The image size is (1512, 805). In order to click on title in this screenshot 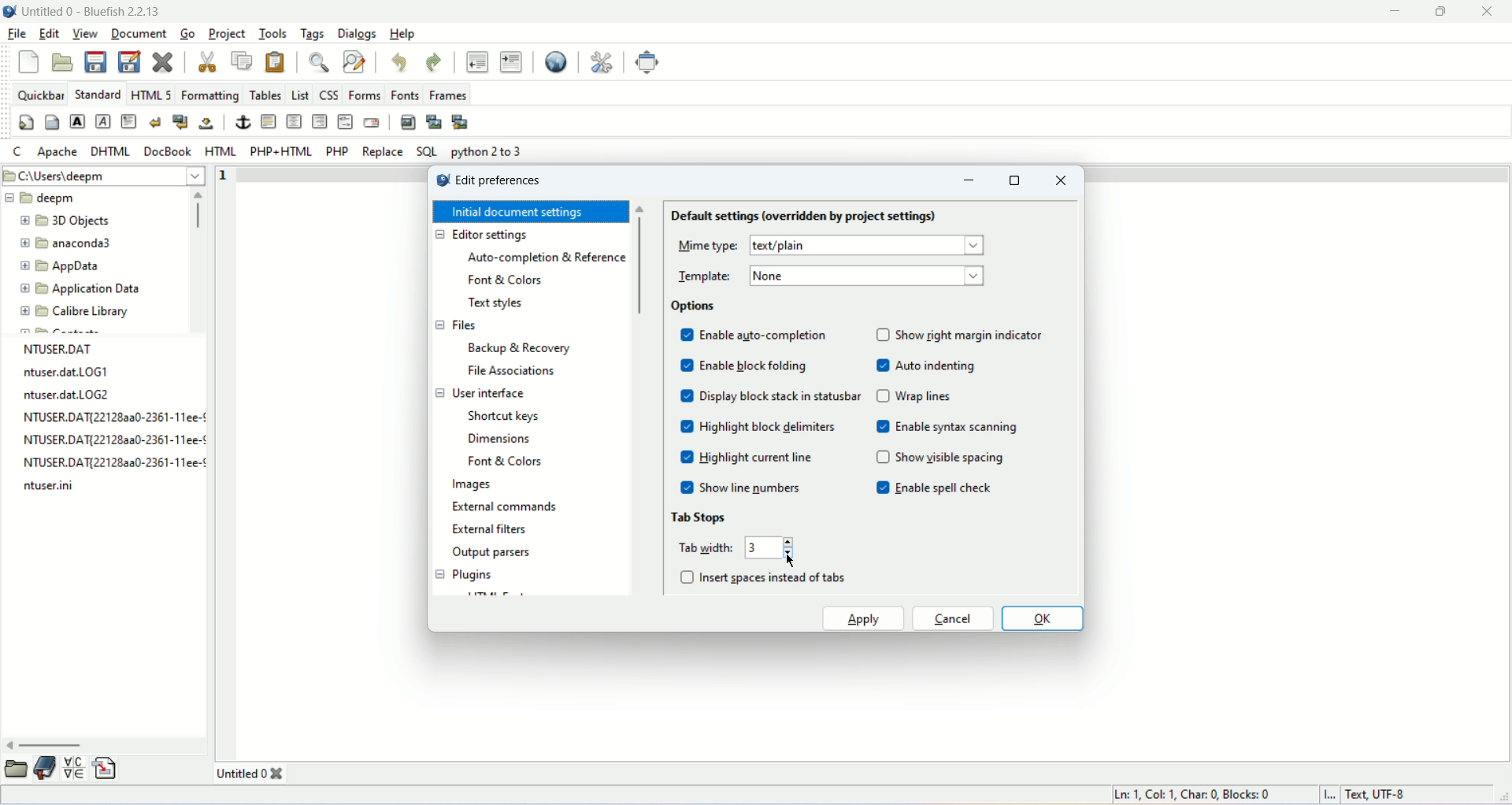, I will do `click(91, 9)`.